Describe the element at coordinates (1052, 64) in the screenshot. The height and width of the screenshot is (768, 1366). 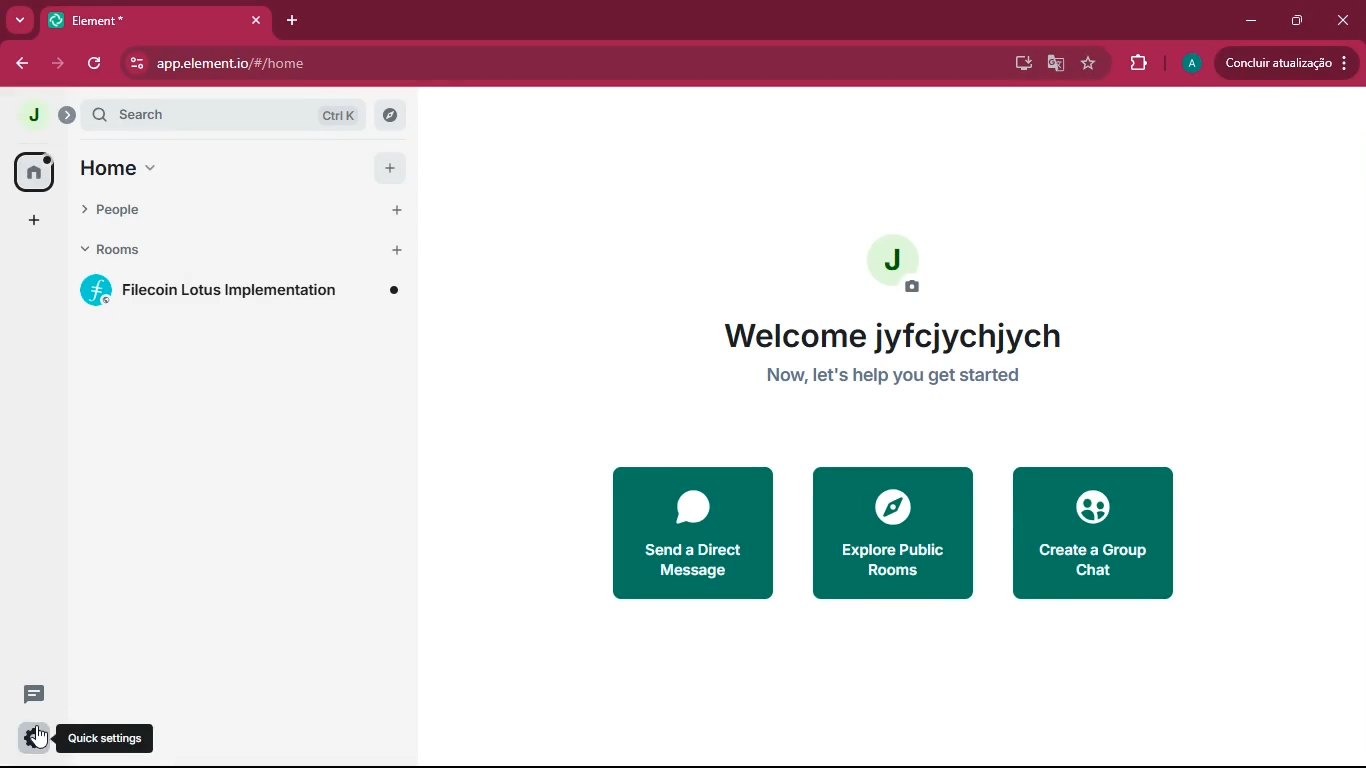
I see `google translate` at that location.